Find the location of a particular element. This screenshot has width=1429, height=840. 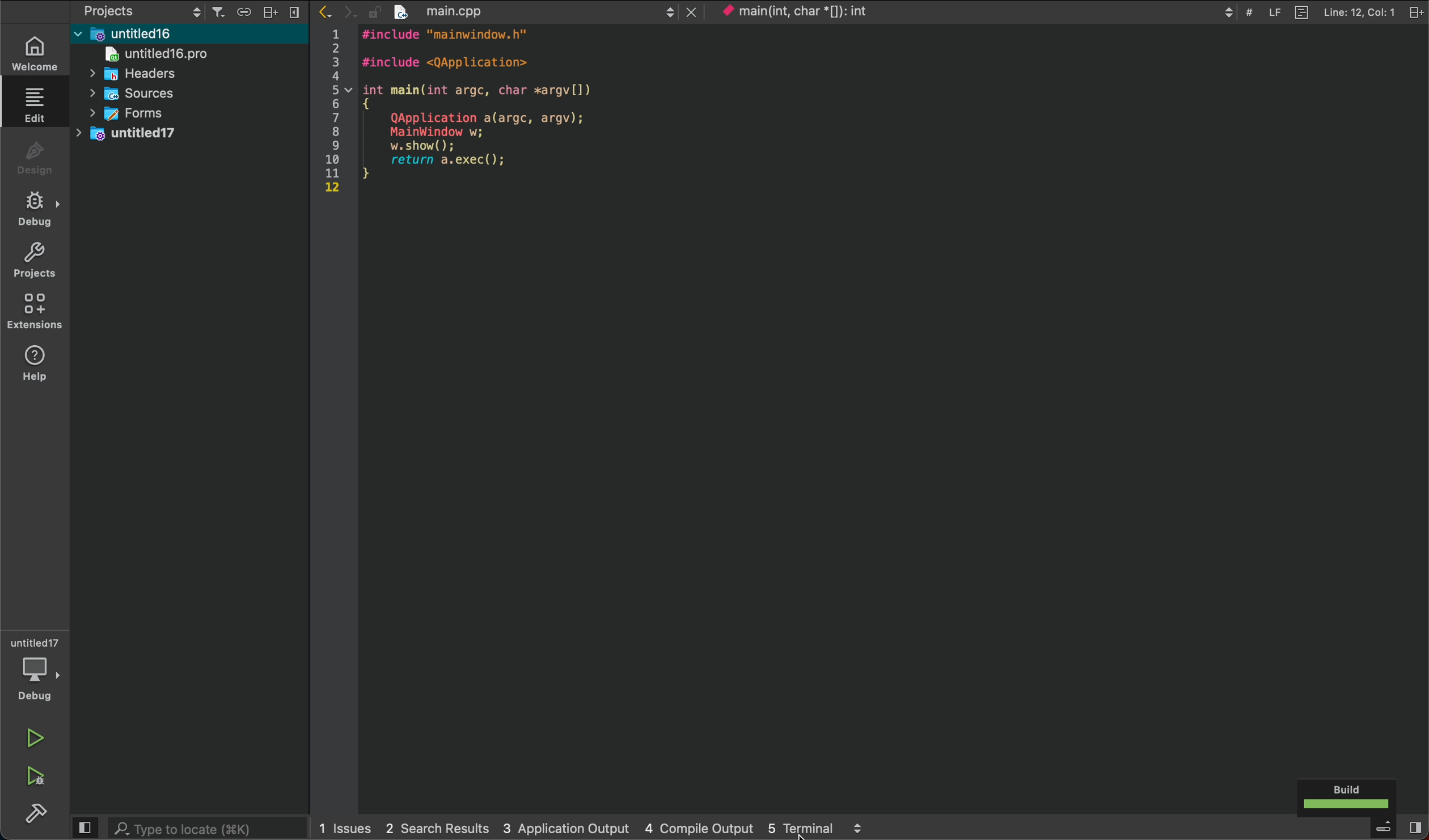

side panel is located at coordinates (84, 828).